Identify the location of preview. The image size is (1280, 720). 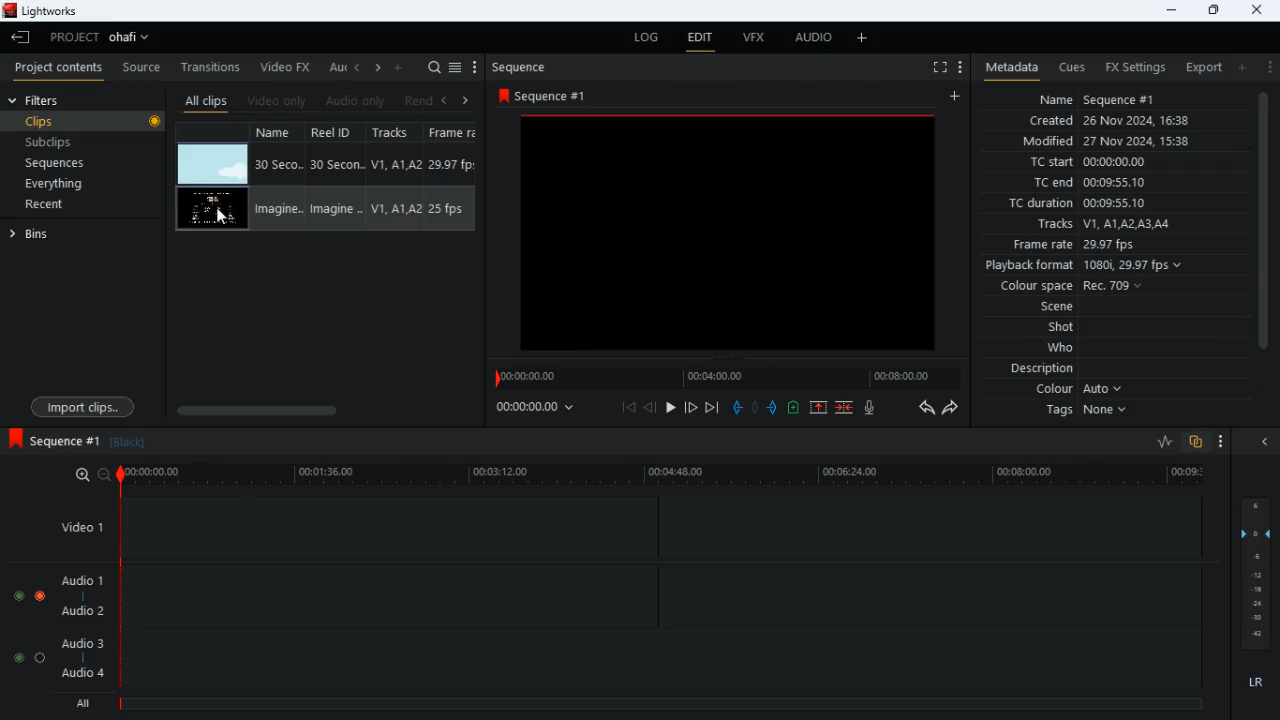
(733, 238).